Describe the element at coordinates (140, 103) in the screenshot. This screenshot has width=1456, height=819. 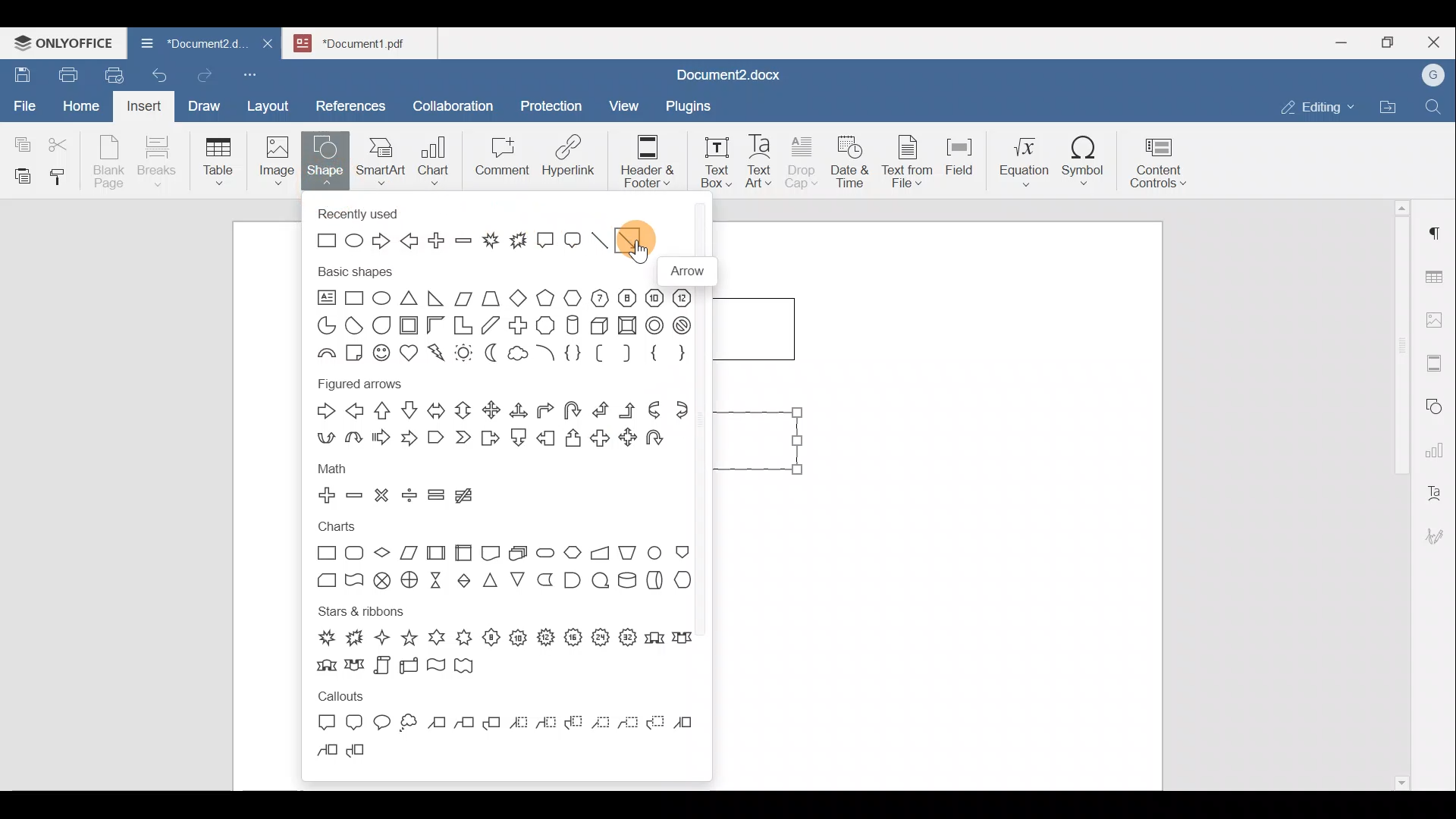
I see `Insert` at that location.